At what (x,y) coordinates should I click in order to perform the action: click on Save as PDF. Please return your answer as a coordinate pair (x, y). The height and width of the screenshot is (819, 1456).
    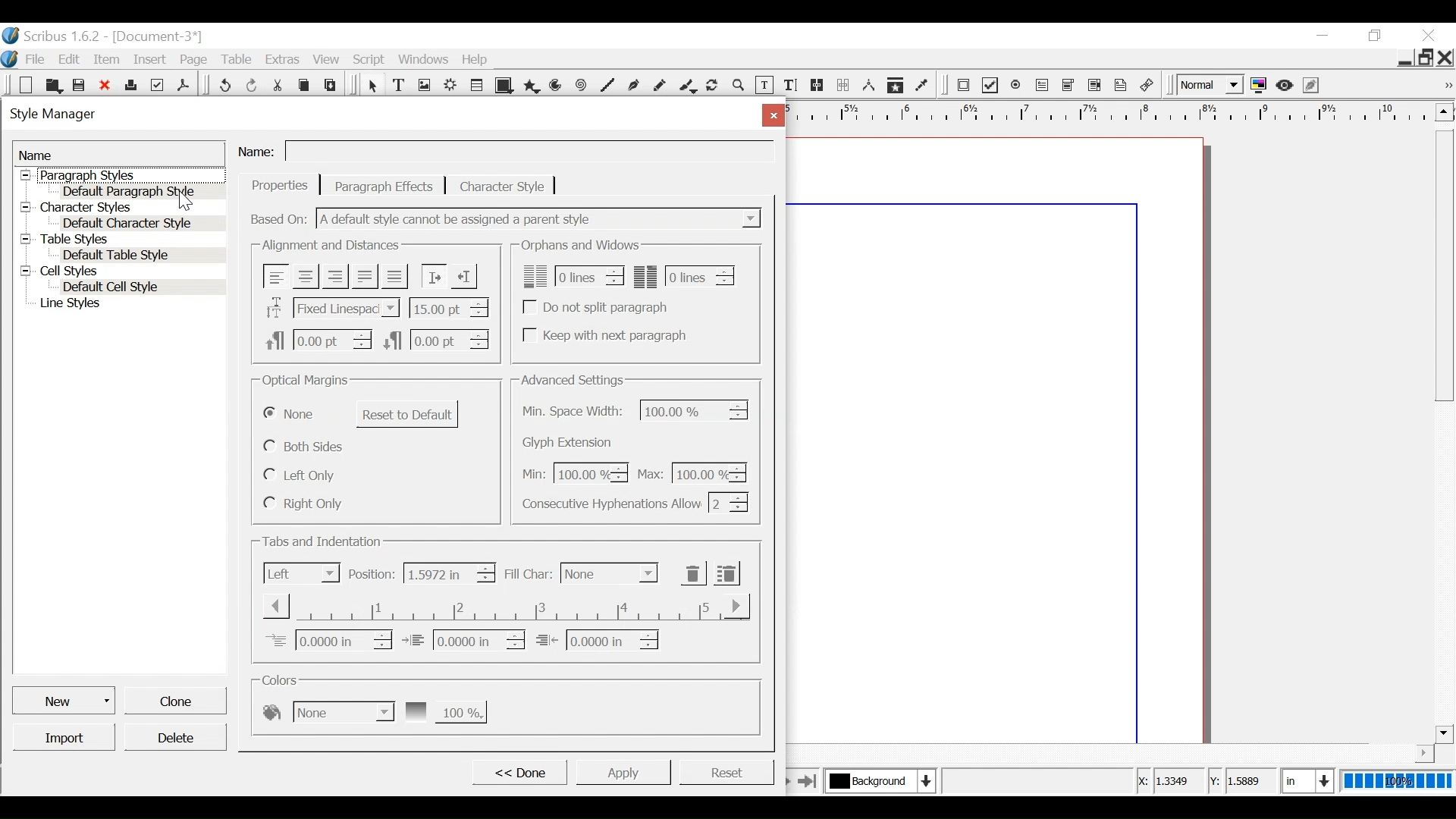
    Looking at the image, I should click on (184, 83).